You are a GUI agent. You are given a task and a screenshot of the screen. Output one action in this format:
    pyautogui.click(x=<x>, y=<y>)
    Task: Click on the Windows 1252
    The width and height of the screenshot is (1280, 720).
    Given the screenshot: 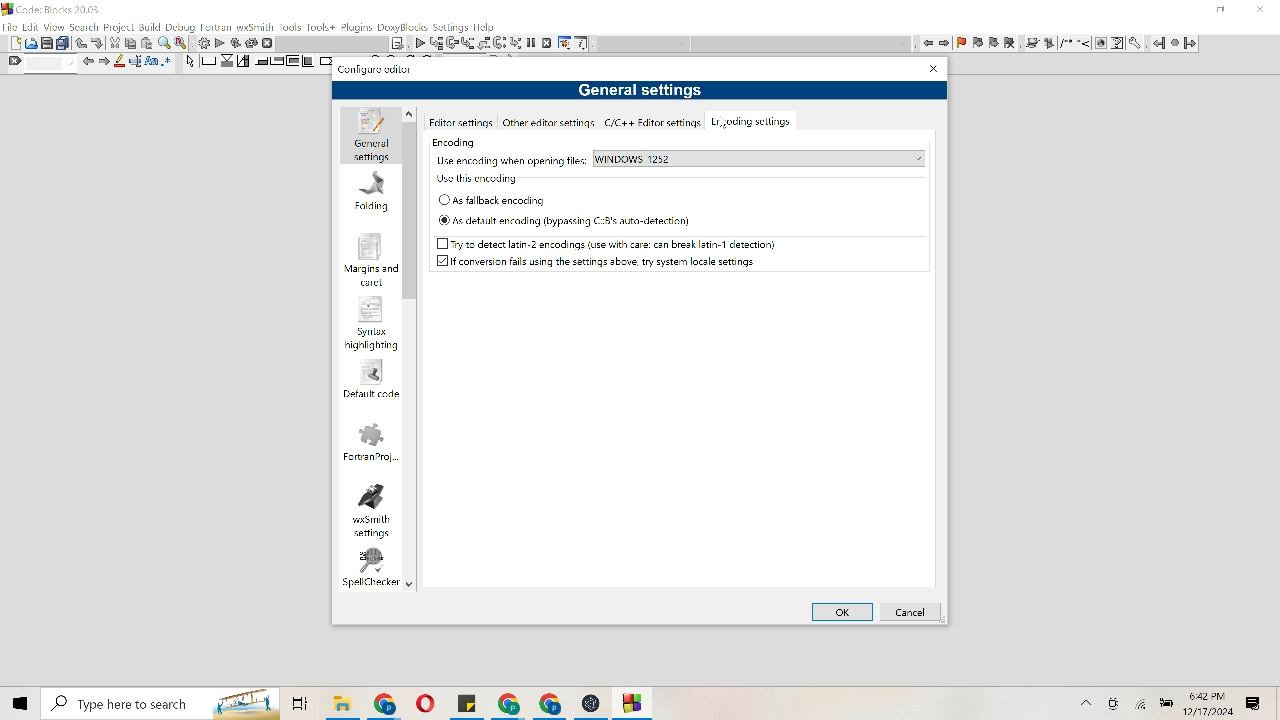 What is the action you would take?
    pyautogui.click(x=758, y=159)
    